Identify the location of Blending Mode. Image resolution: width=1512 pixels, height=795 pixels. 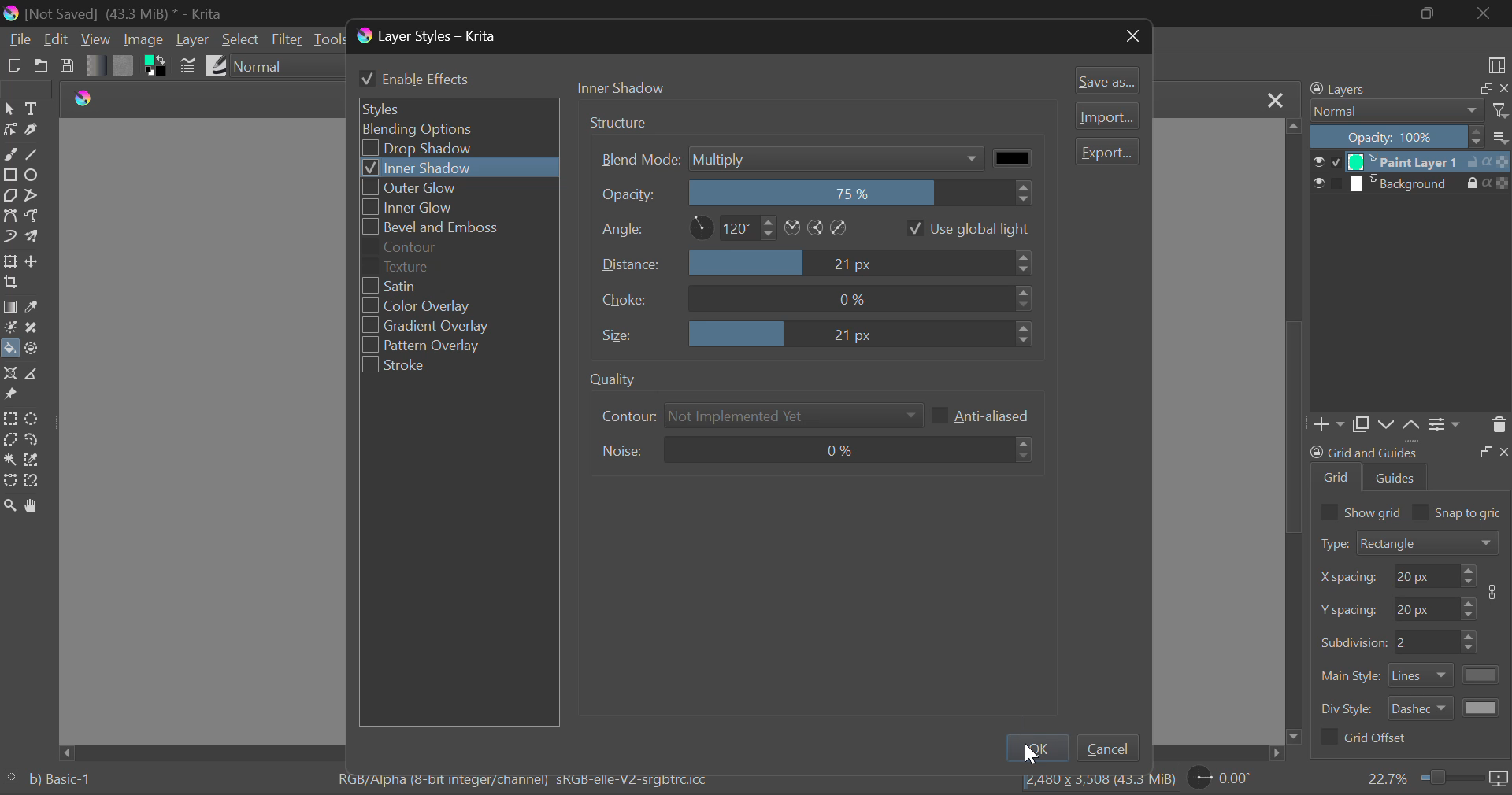
(285, 66).